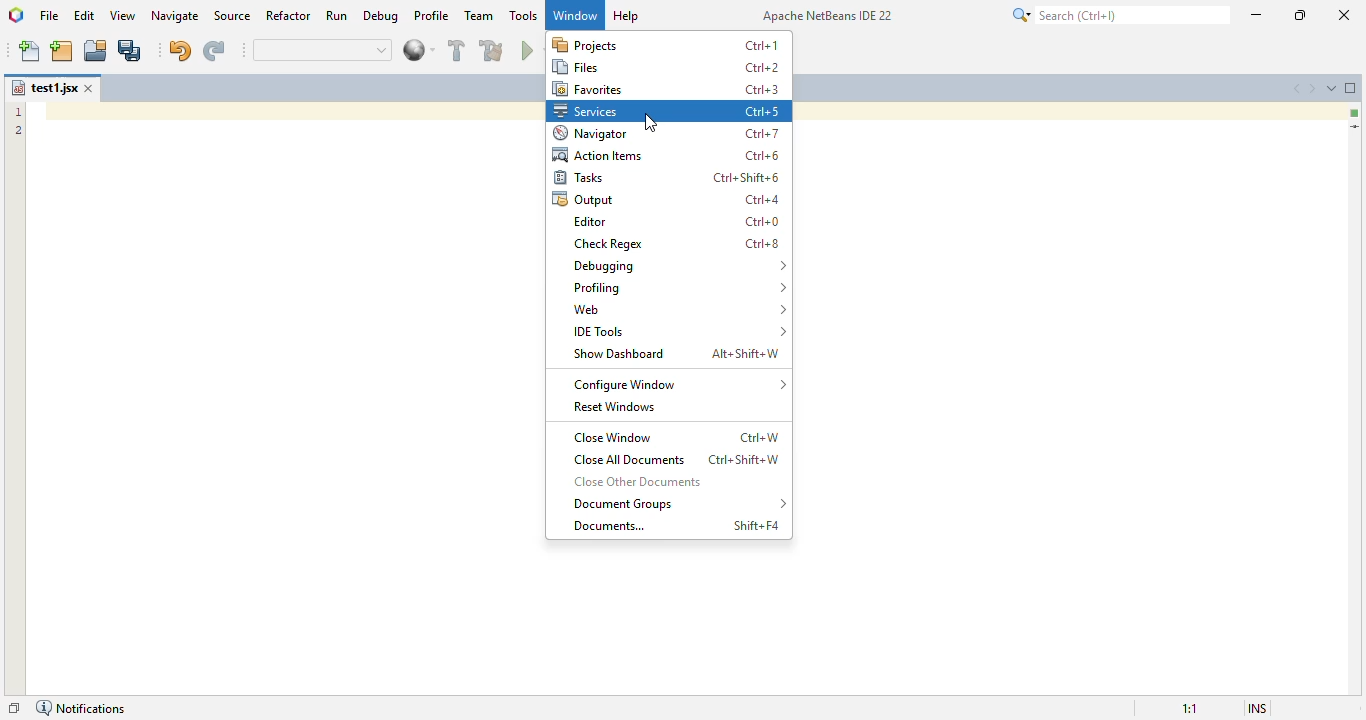 The width and height of the screenshot is (1366, 720). Describe the element at coordinates (1313, 88) in the screenshot. I see `scroll documents right` at that location.